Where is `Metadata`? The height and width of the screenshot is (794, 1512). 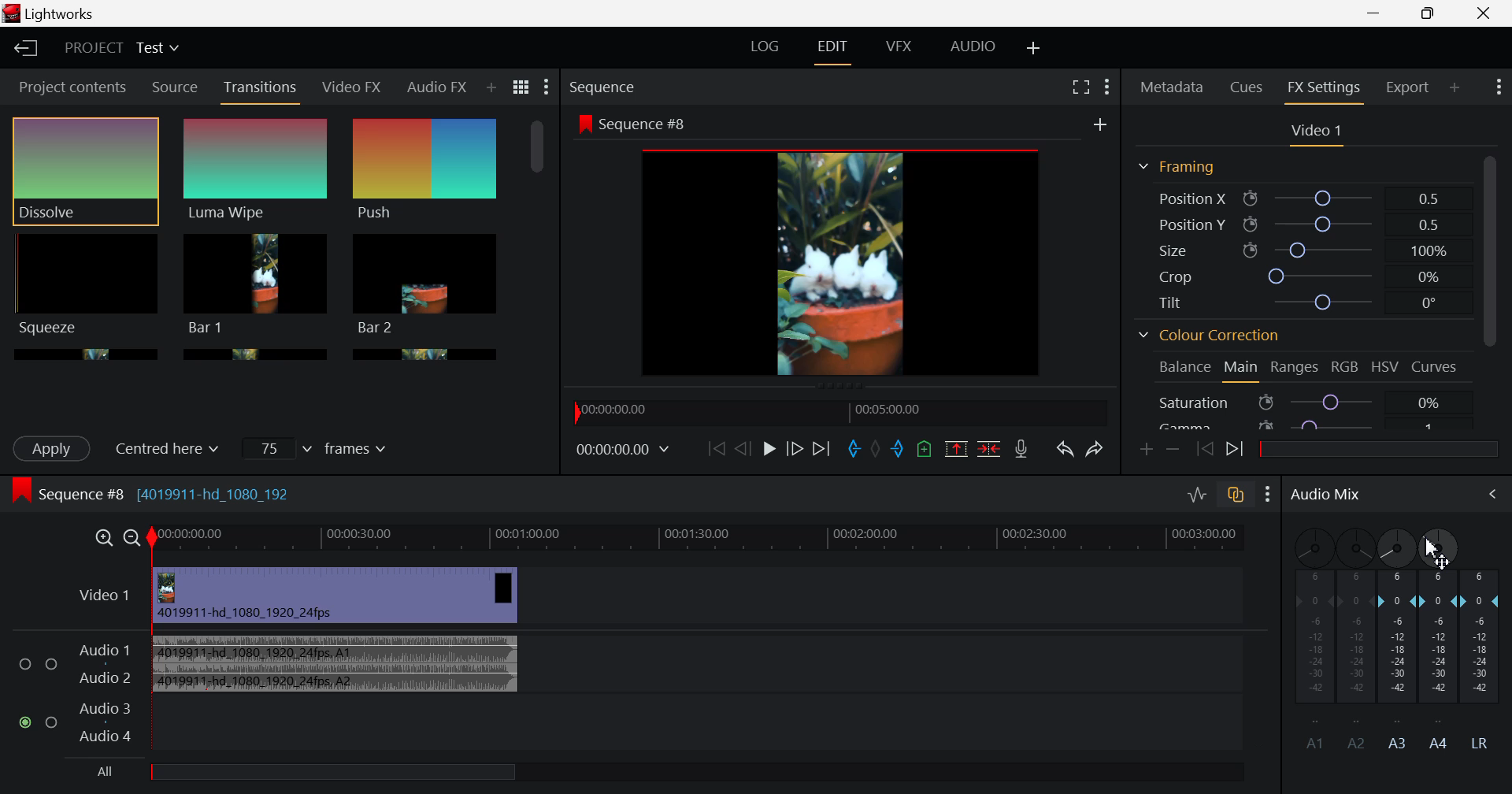
Metadata is located at coordinates (1172, 87).